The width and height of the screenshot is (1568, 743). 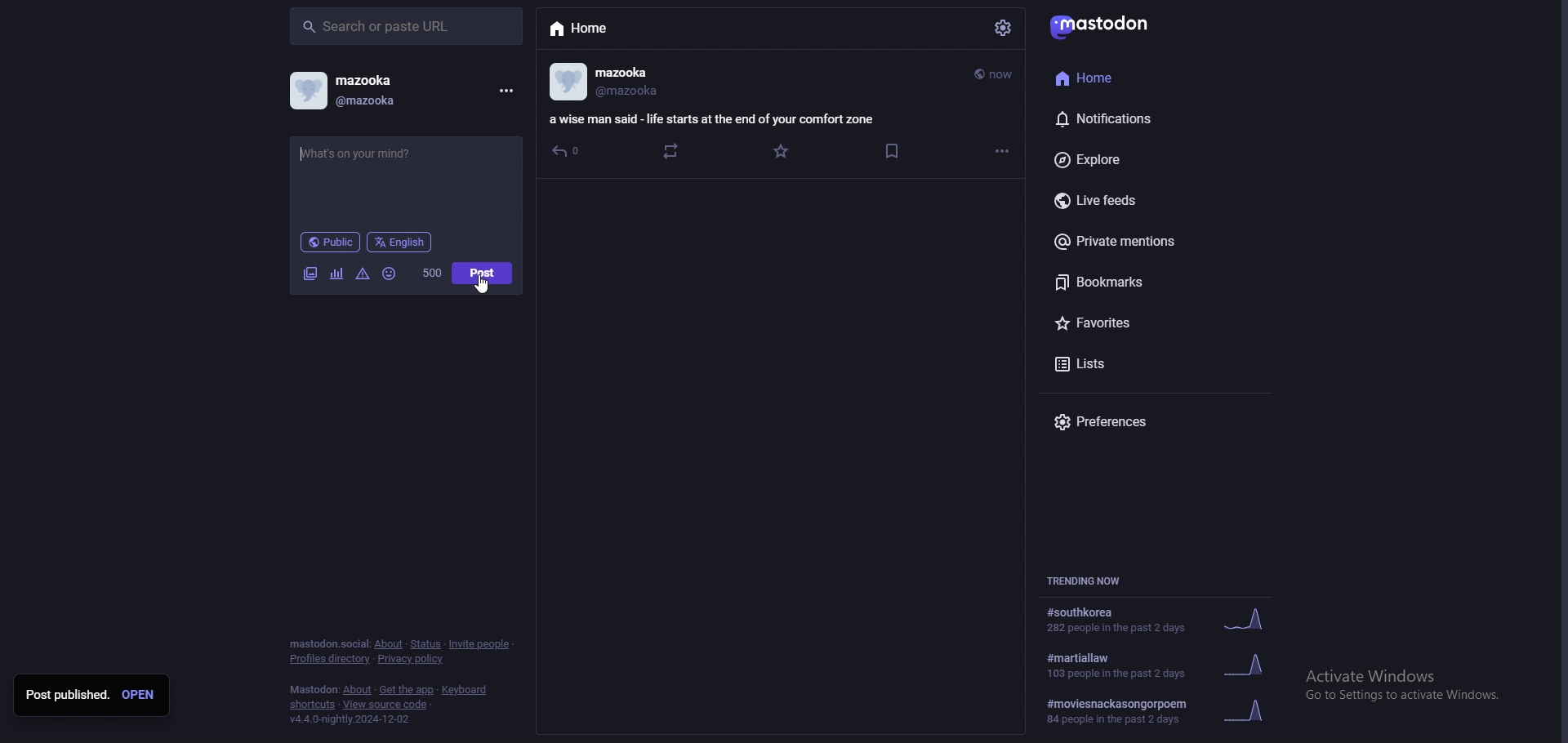 What do you see at coordinates (327, 659) in the screenshot?
I see `profiles directory` at bounding box center [327, 659].